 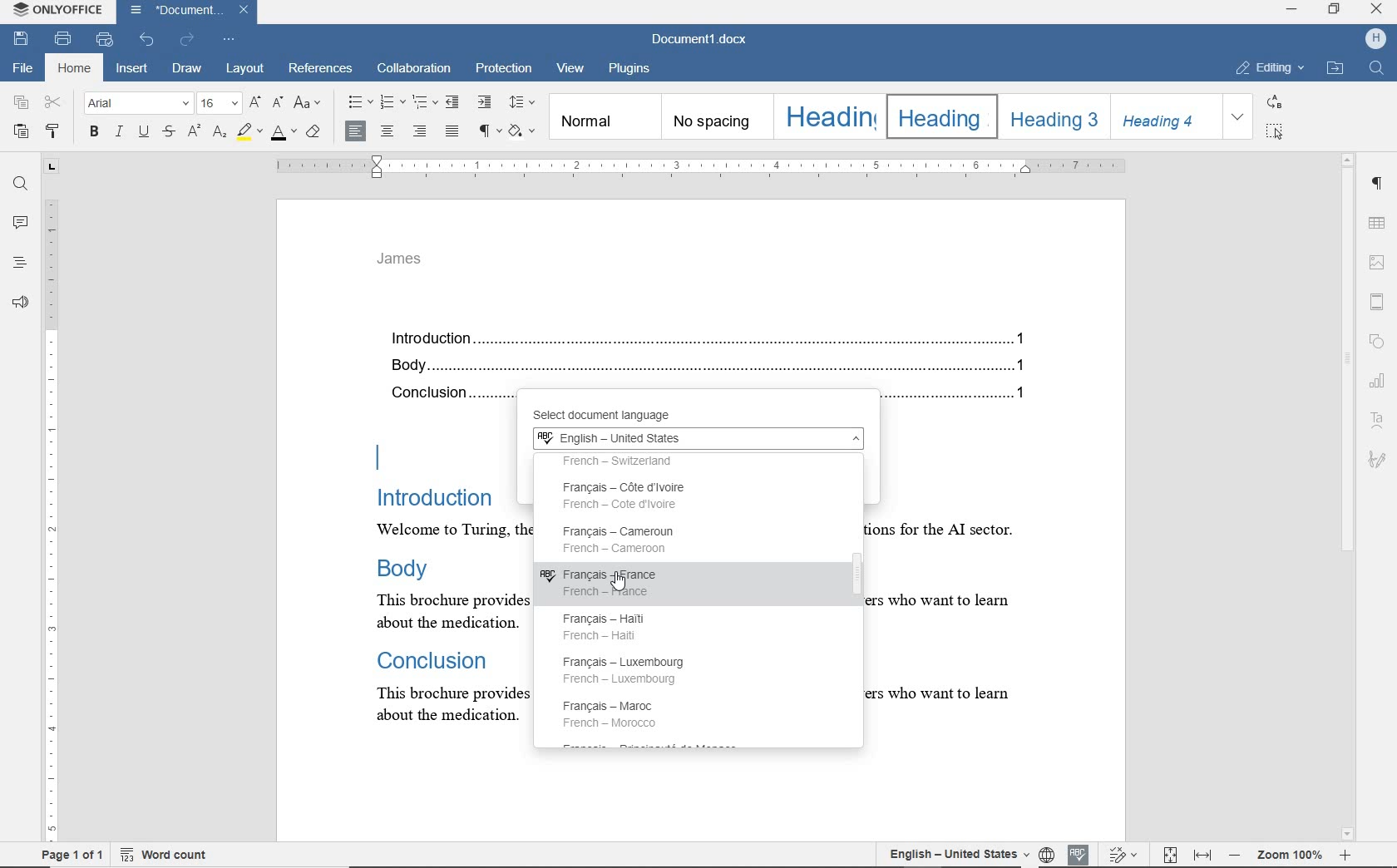 What do you see at coordinates (187, 40) in the screenshot?
I see `redo` at bounding box center [187, 40].